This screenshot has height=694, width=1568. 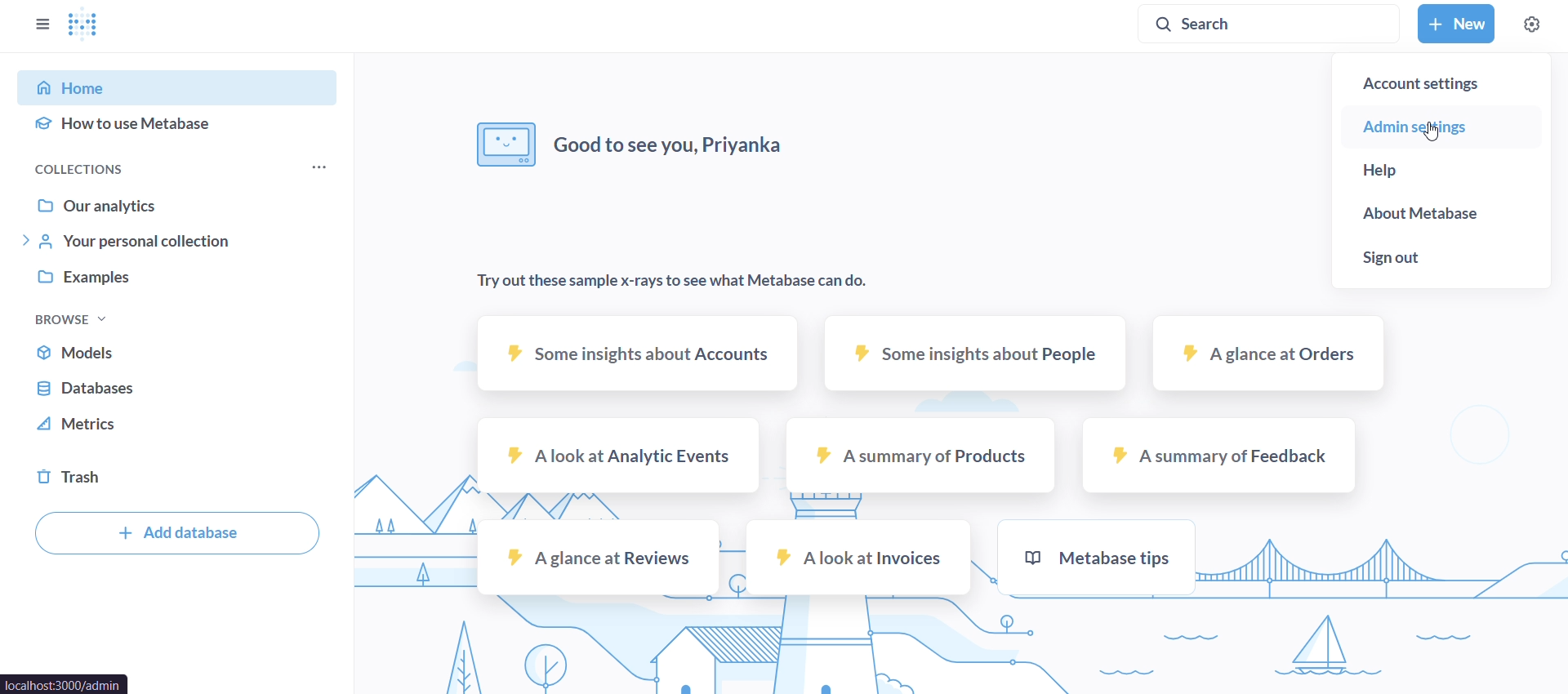 I want to click on , so click(x=181, y=242).